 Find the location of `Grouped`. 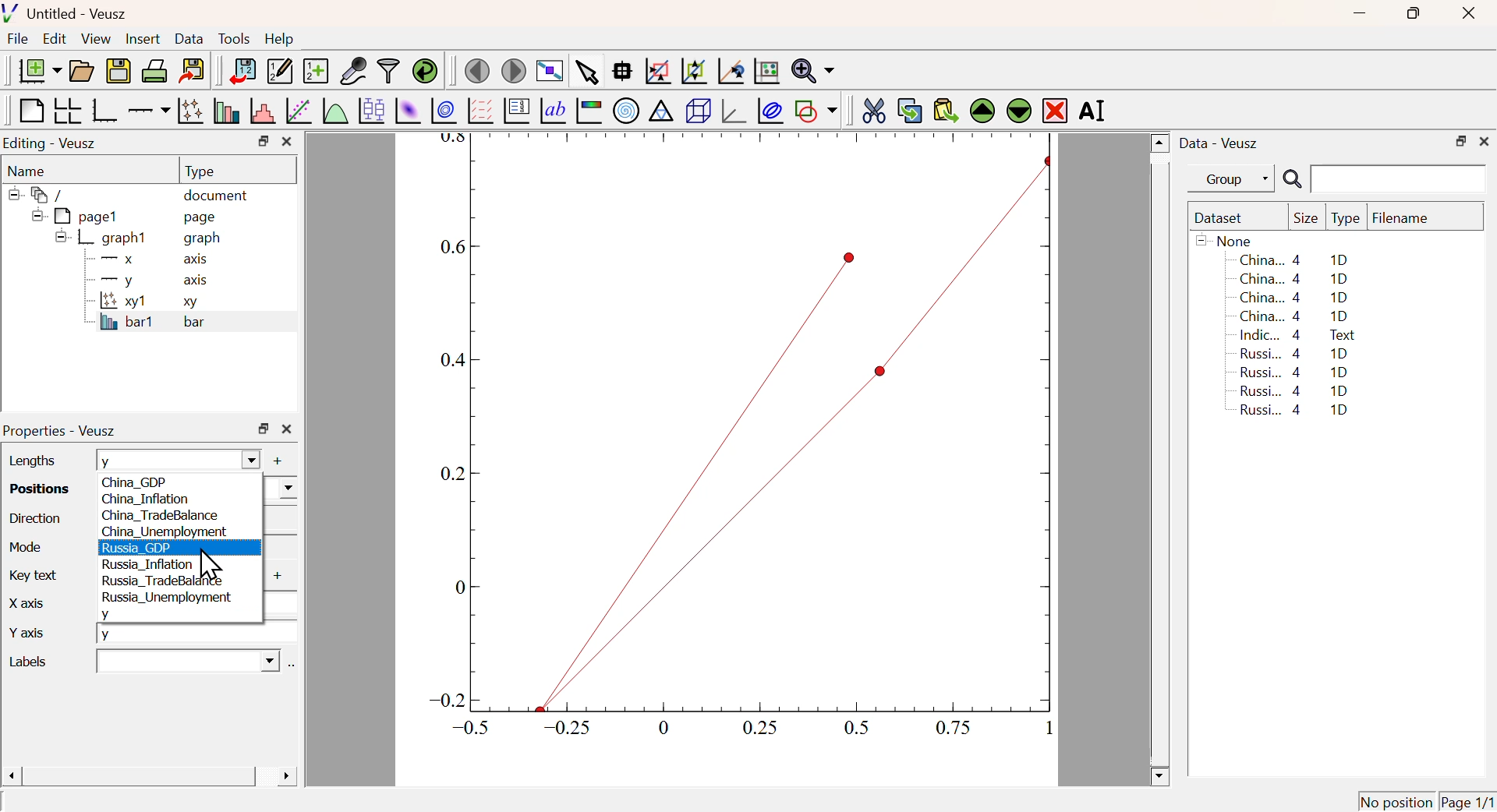

Grouped is located at coordinates (281, 547).